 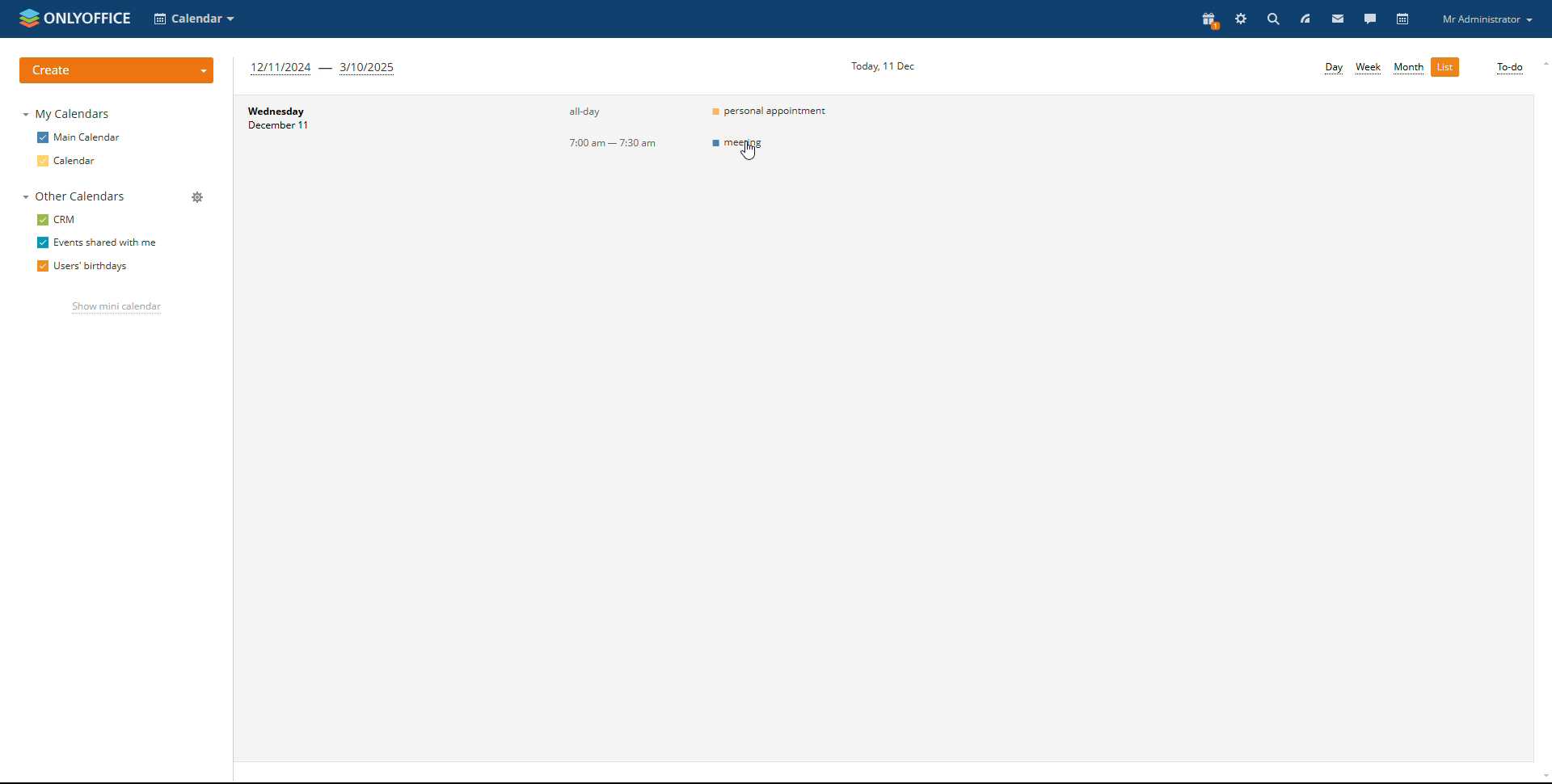 I want to click on feed, so click(x=1305, y=19).